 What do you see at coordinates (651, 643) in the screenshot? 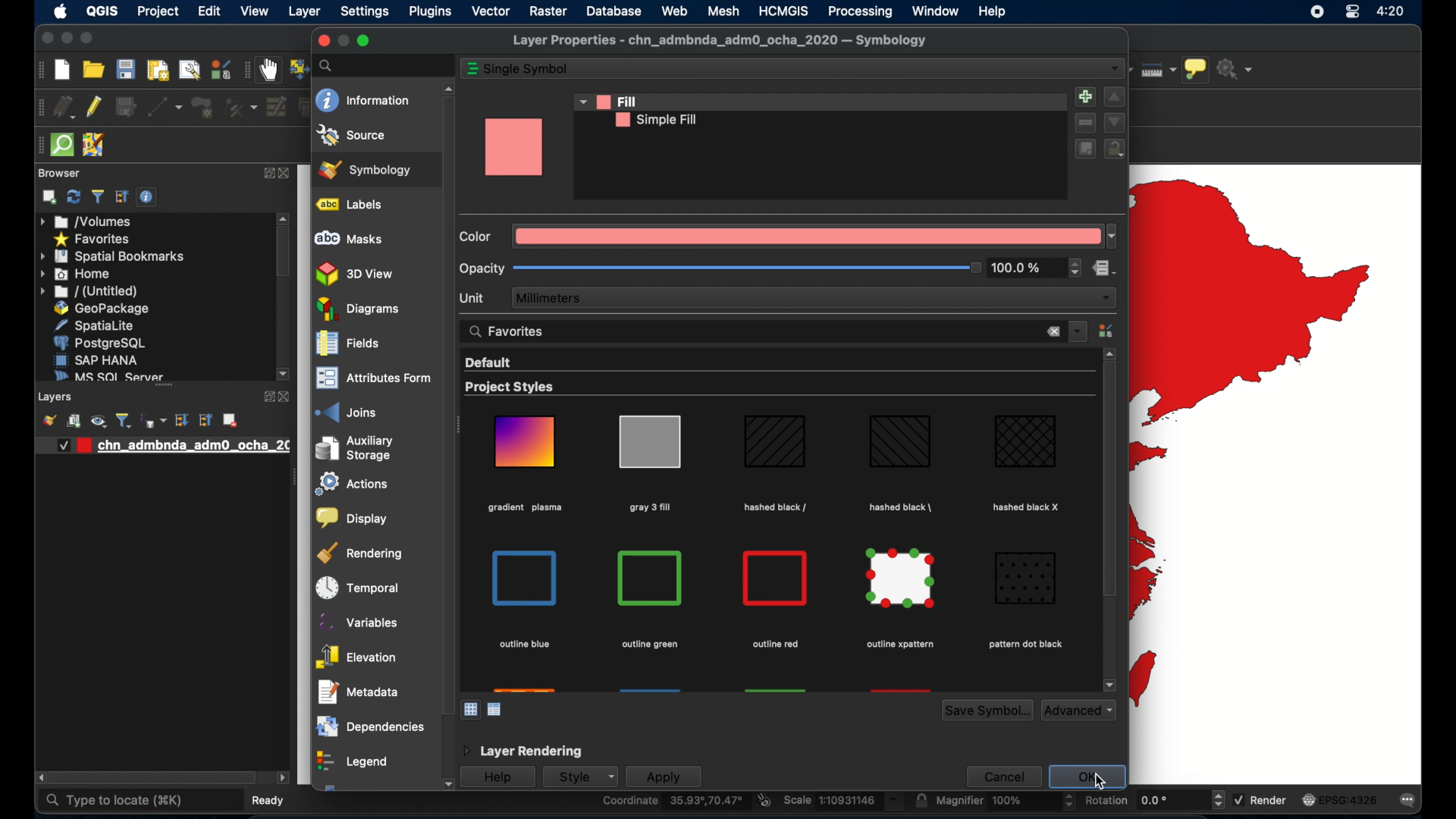
I see `outline green` at bounding box center [651, 643].